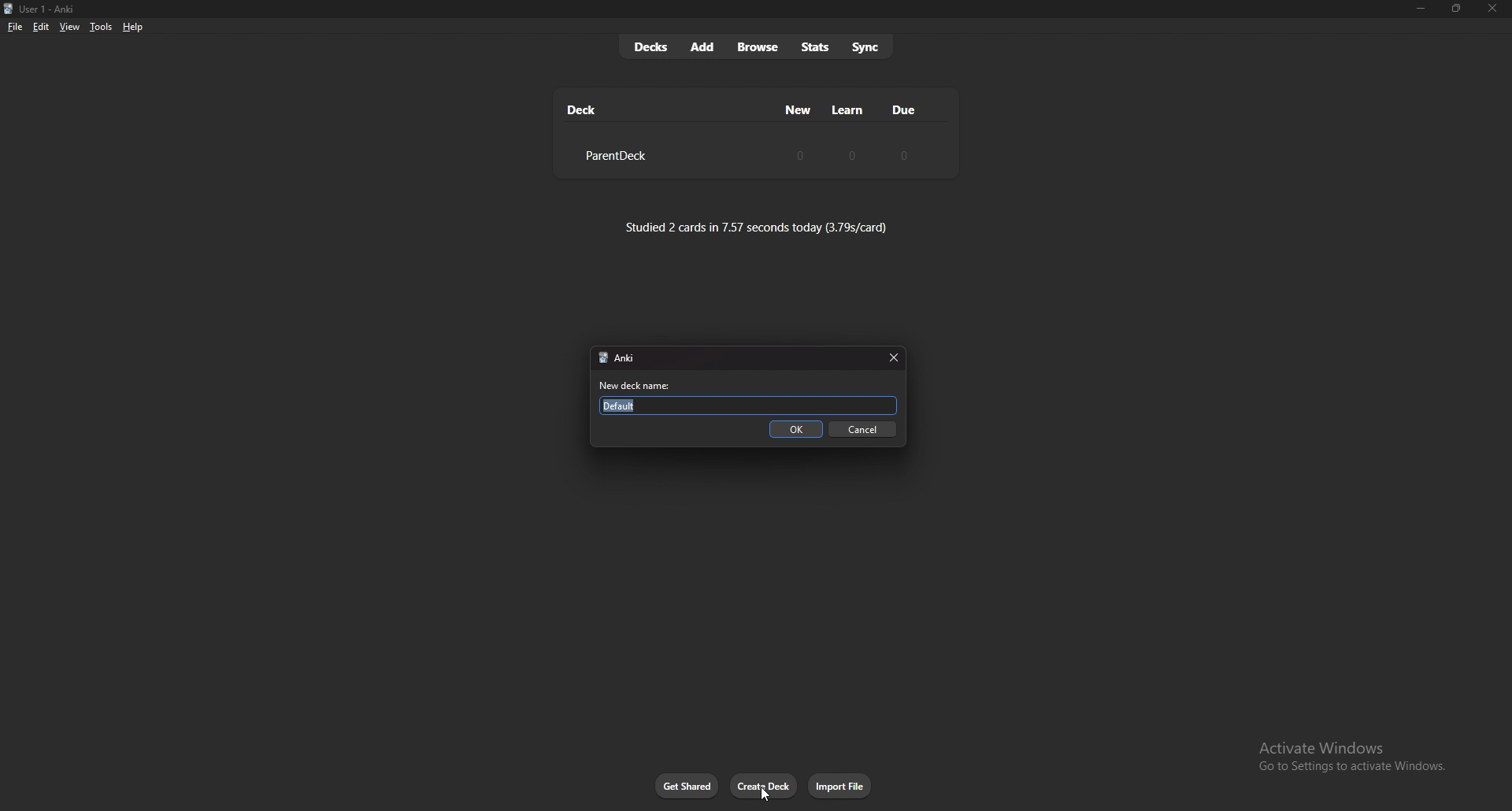 The image size is (1512, 811). What do you see at coordinates (613, 156) in the screenshot?
I see `ParentDeck` at bounding box center [613, 156].